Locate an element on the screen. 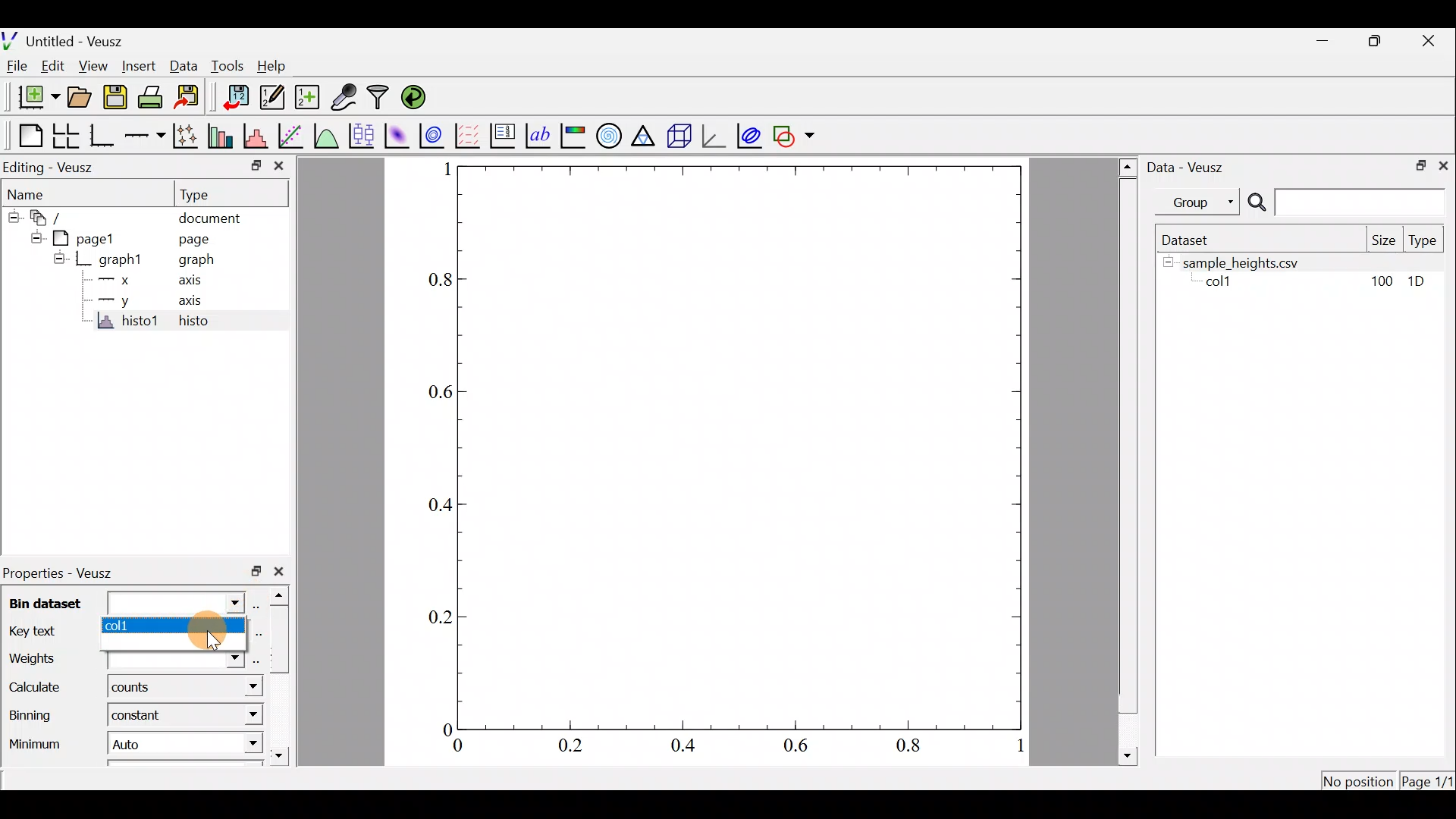  Group is located at coordinates (1201, 202).